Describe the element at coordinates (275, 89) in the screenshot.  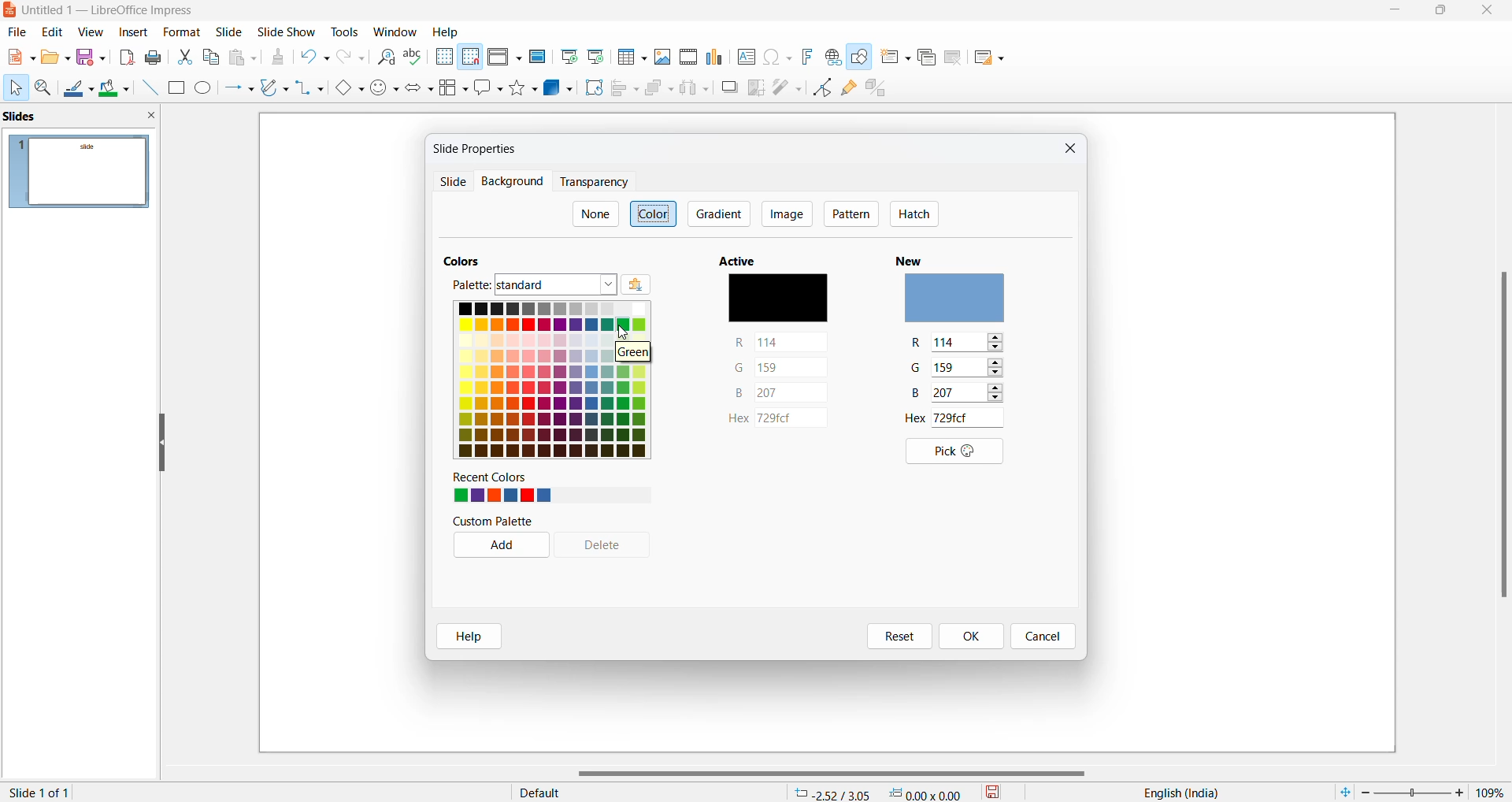
I see `curve and polygons` at that location.